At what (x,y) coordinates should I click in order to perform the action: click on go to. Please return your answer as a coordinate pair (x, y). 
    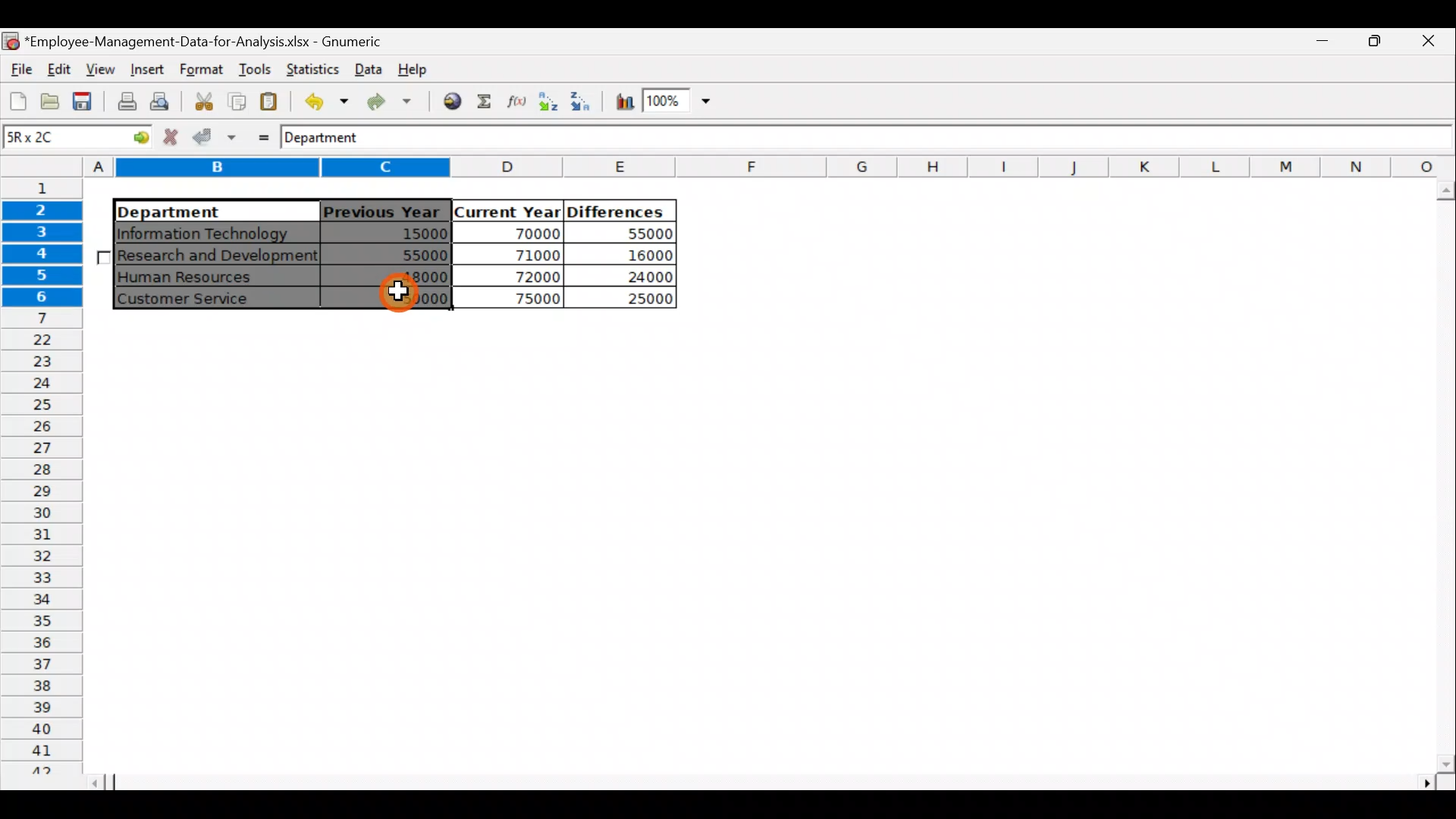
    Looking at the image, I should click on (132, 139).